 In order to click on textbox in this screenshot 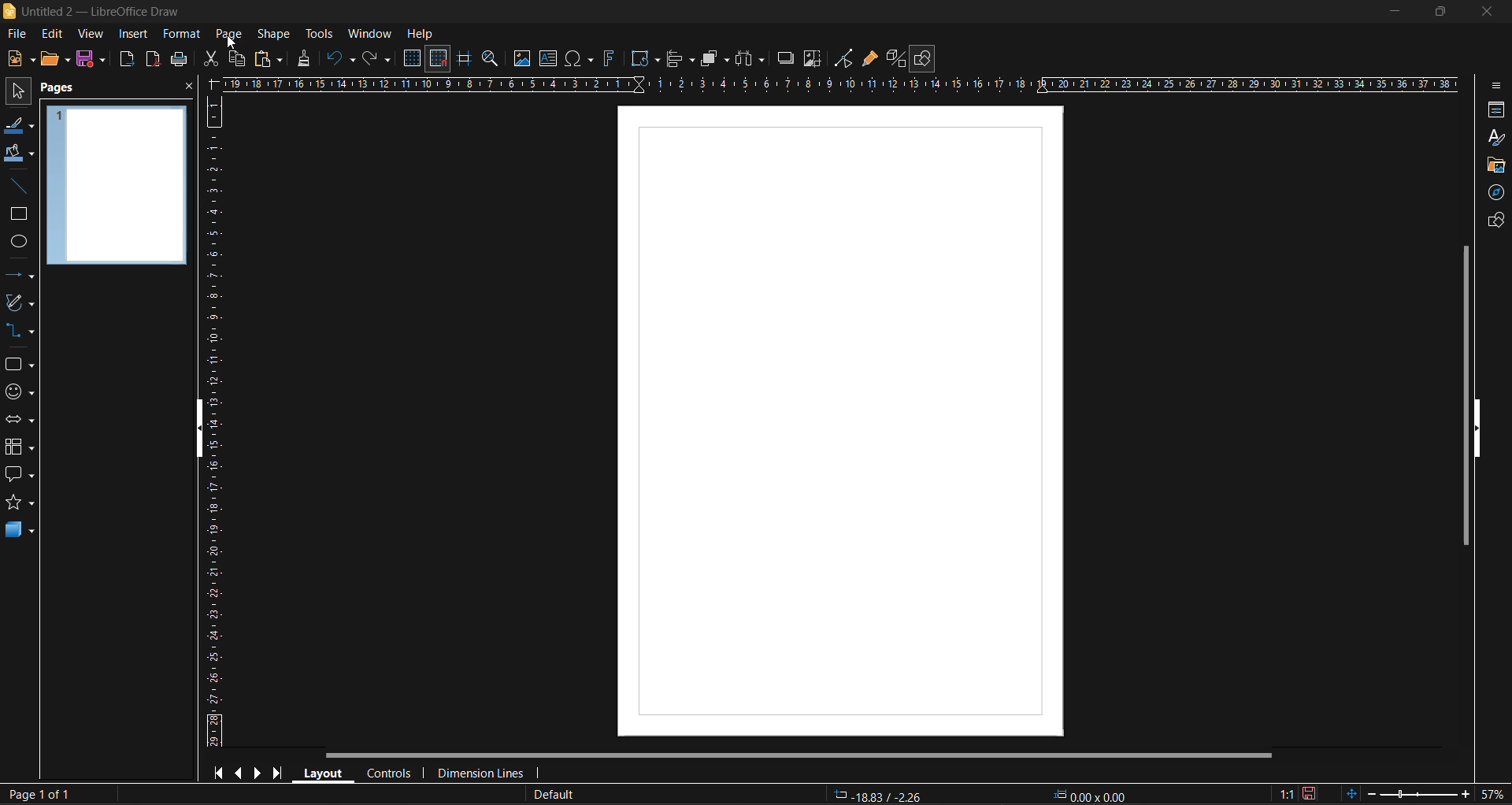, I will do `click(549, 59)`.